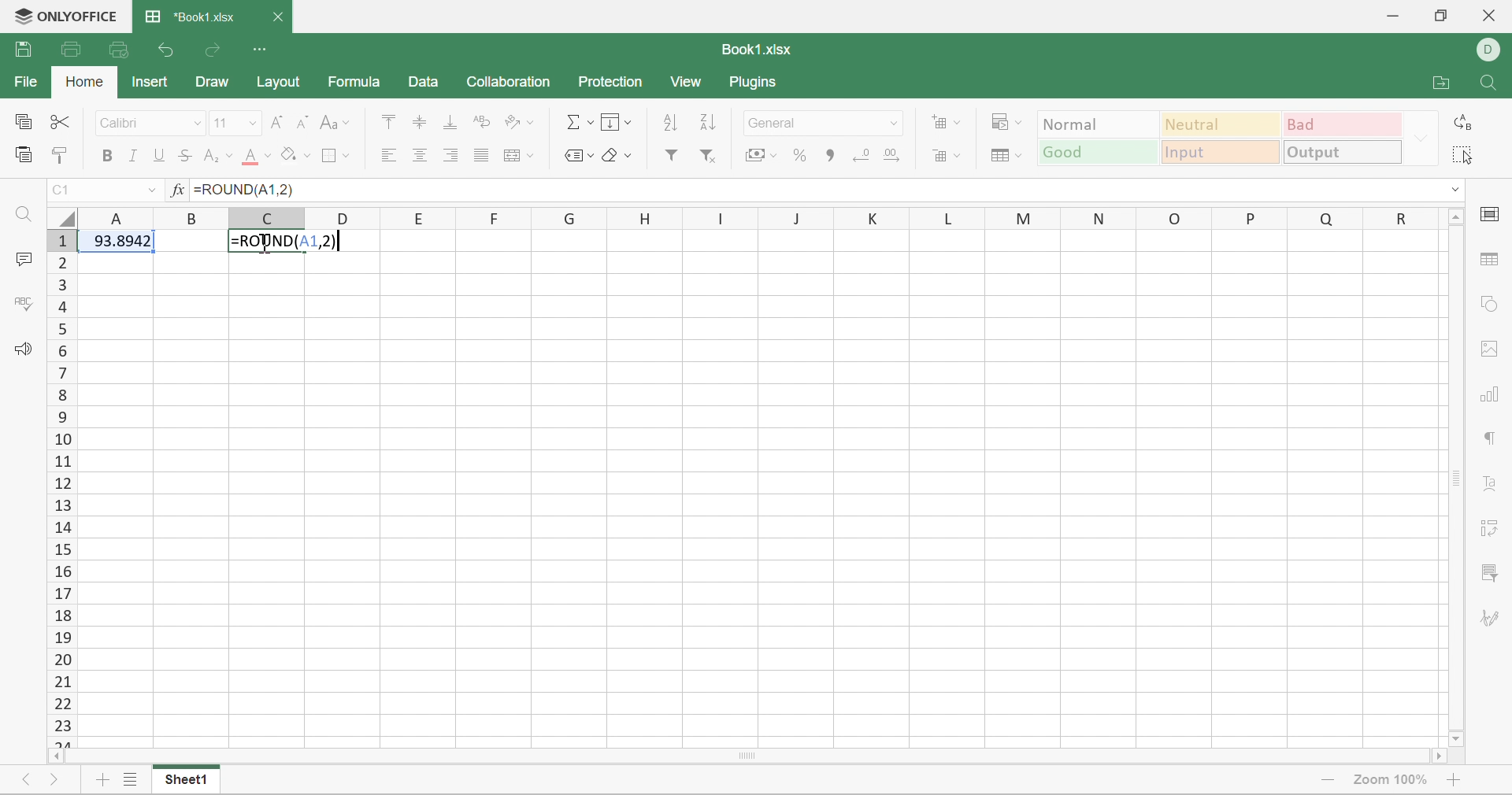  Describe the element at coordinates (688, 83) in the screenshot. I see `View` at that location.